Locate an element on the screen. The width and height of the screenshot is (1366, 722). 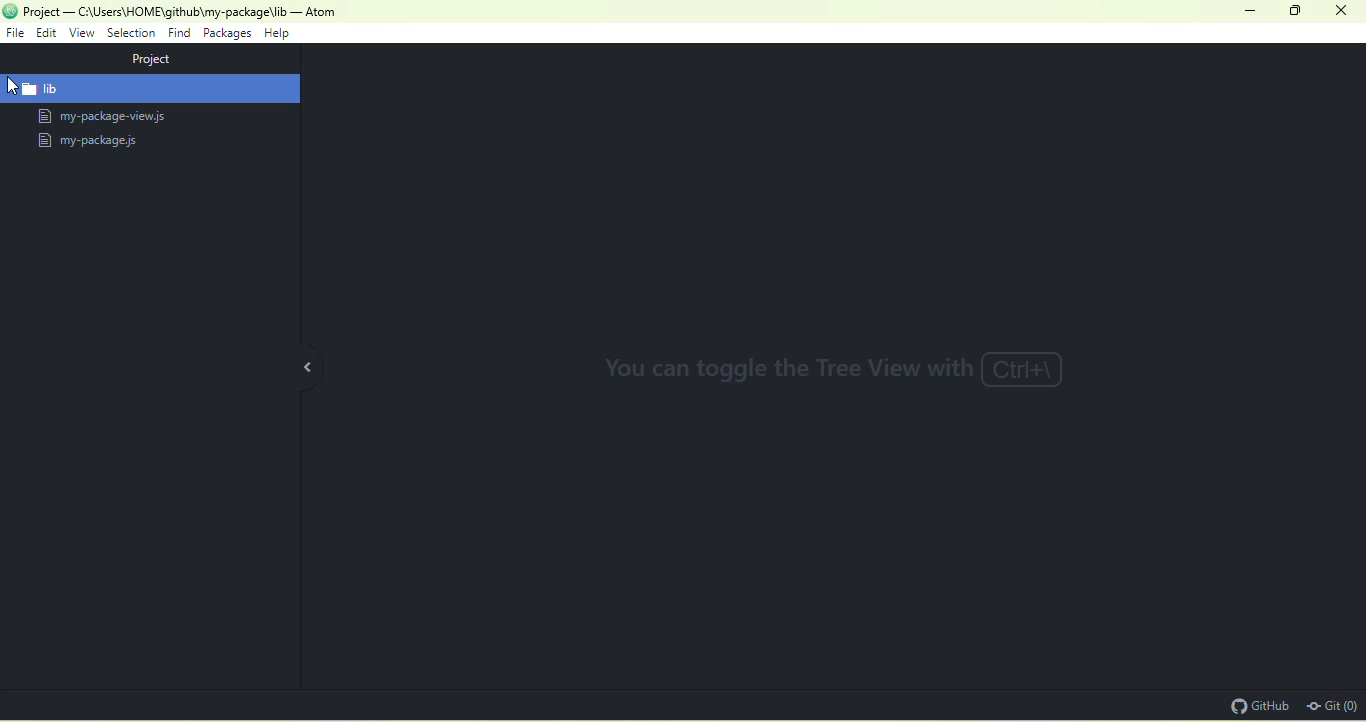
minimize is located at coordinates (1246, 13).